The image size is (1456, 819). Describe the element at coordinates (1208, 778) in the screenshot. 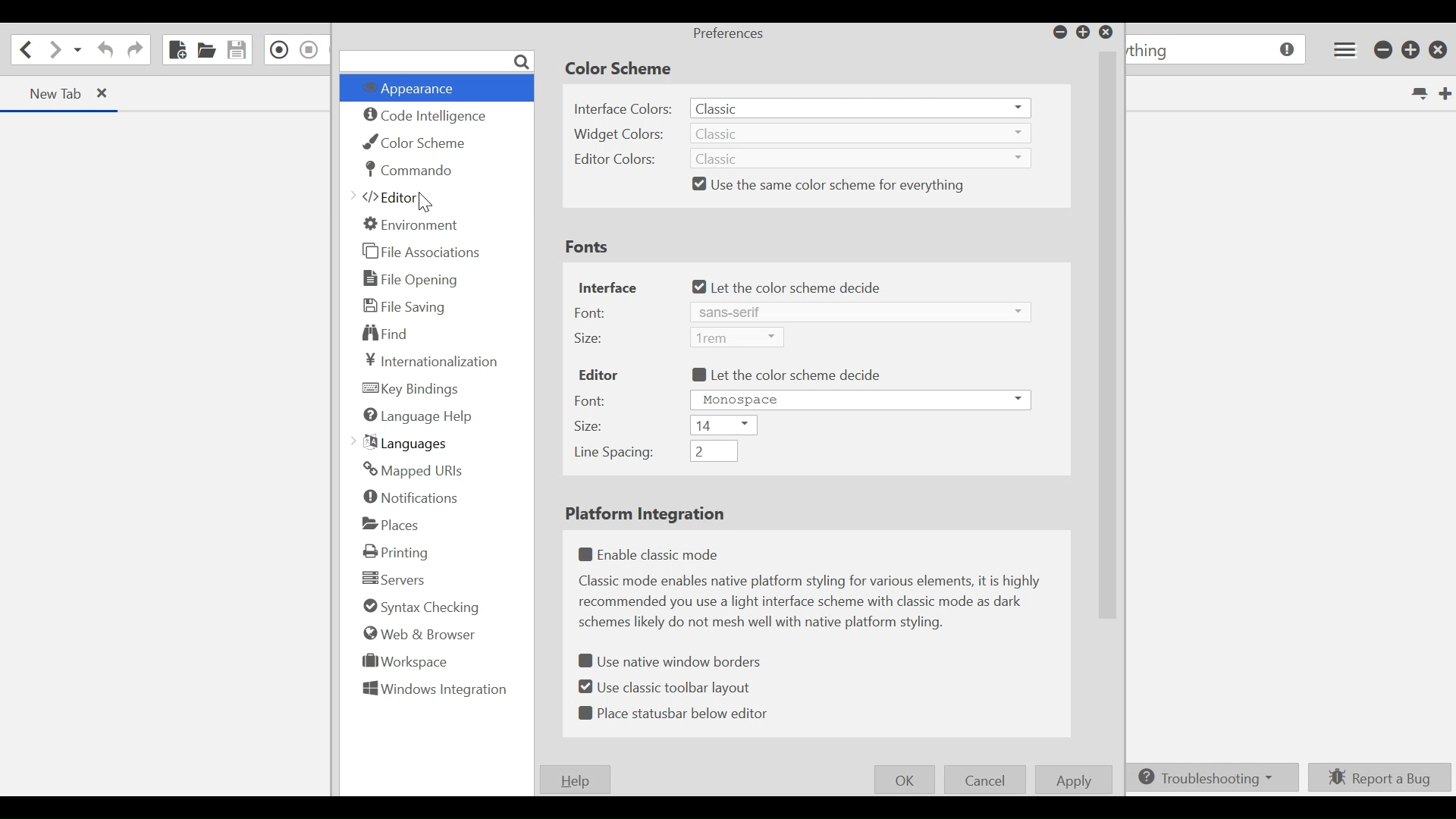

I see `Troubleshooting` at that location.